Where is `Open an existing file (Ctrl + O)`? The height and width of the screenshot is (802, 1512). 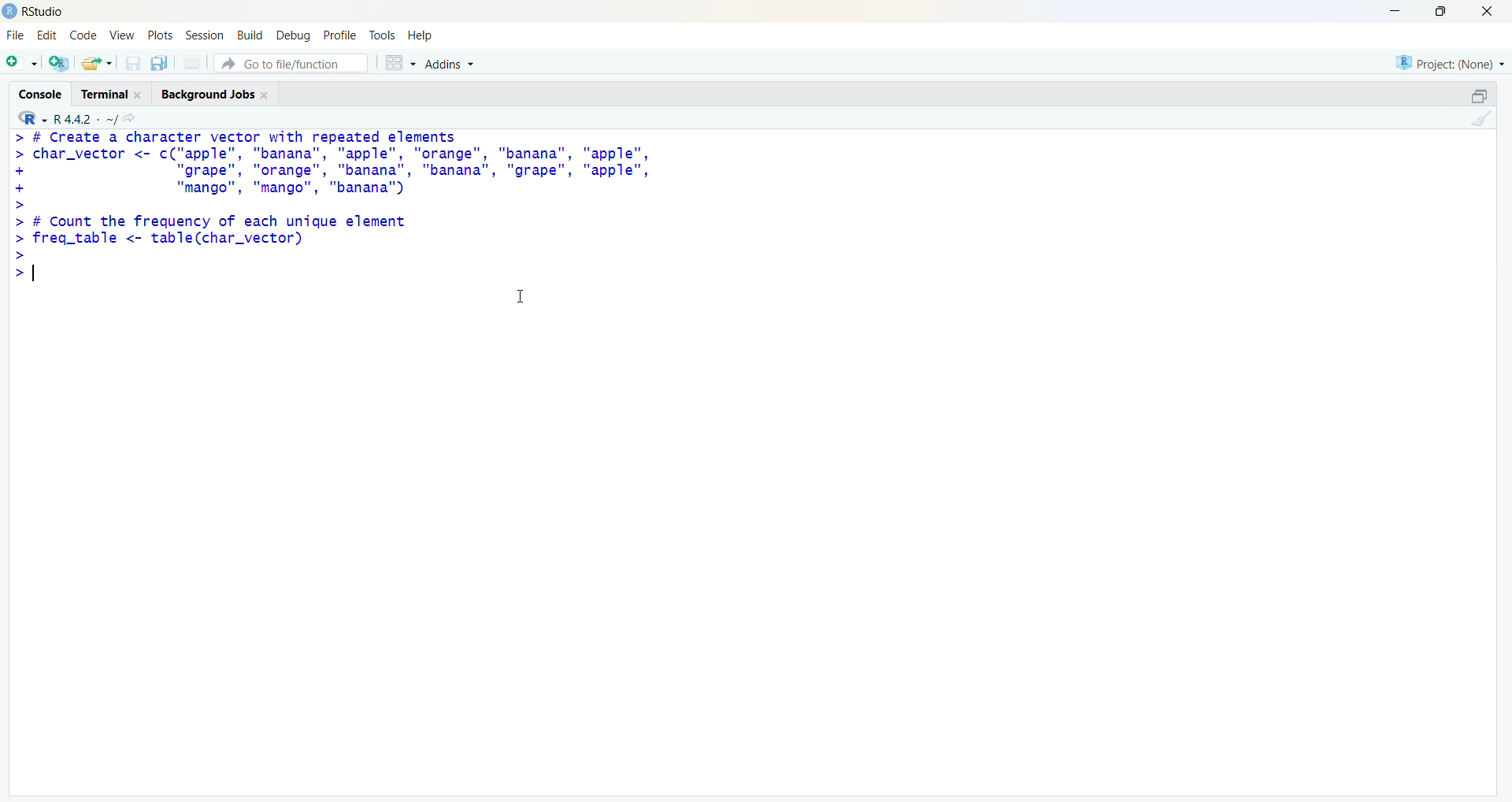 Open an existing file (Ctrl + O) is located at coordinates (97, 64).